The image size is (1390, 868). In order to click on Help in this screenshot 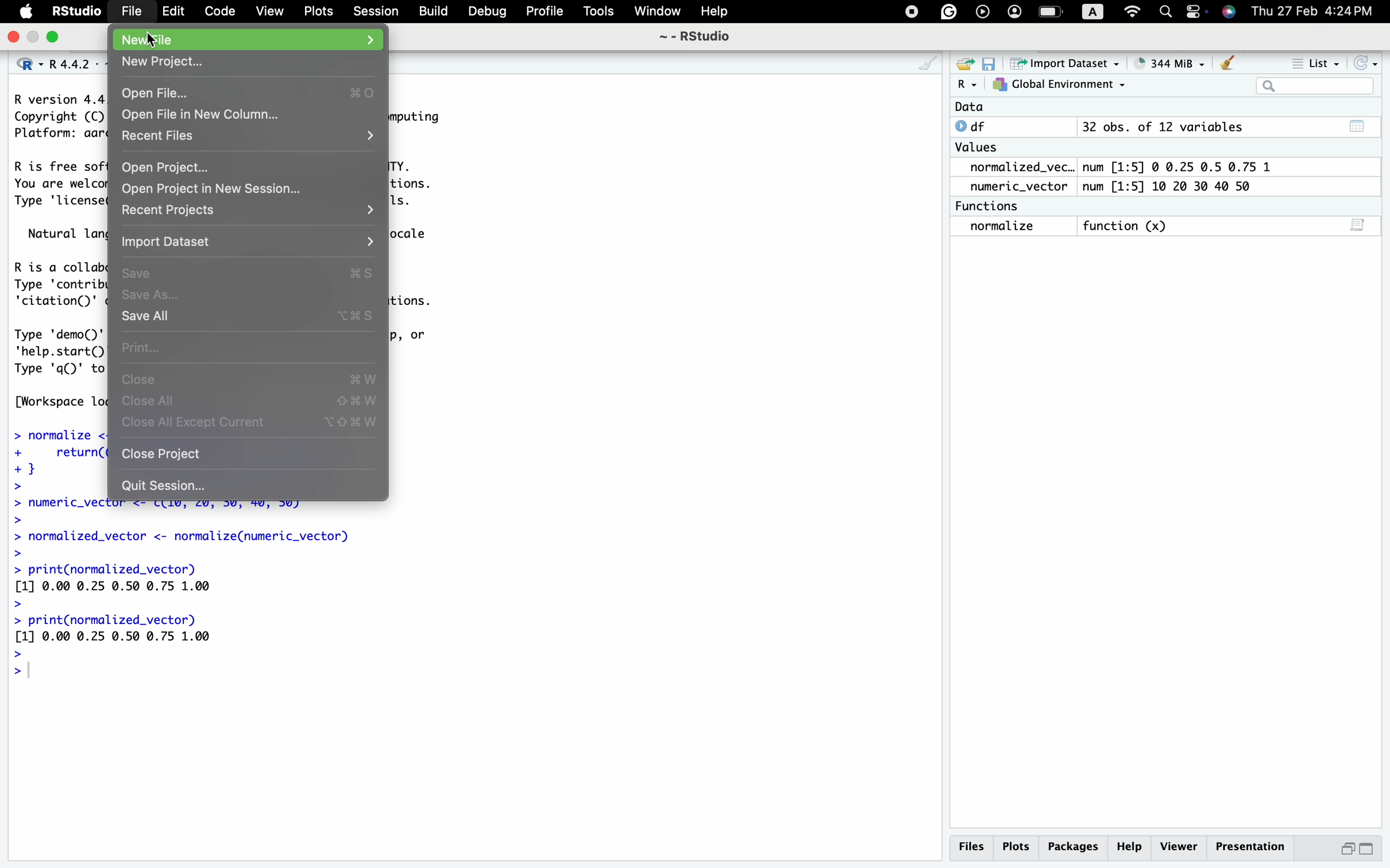, I will do `click(715, 13)`.